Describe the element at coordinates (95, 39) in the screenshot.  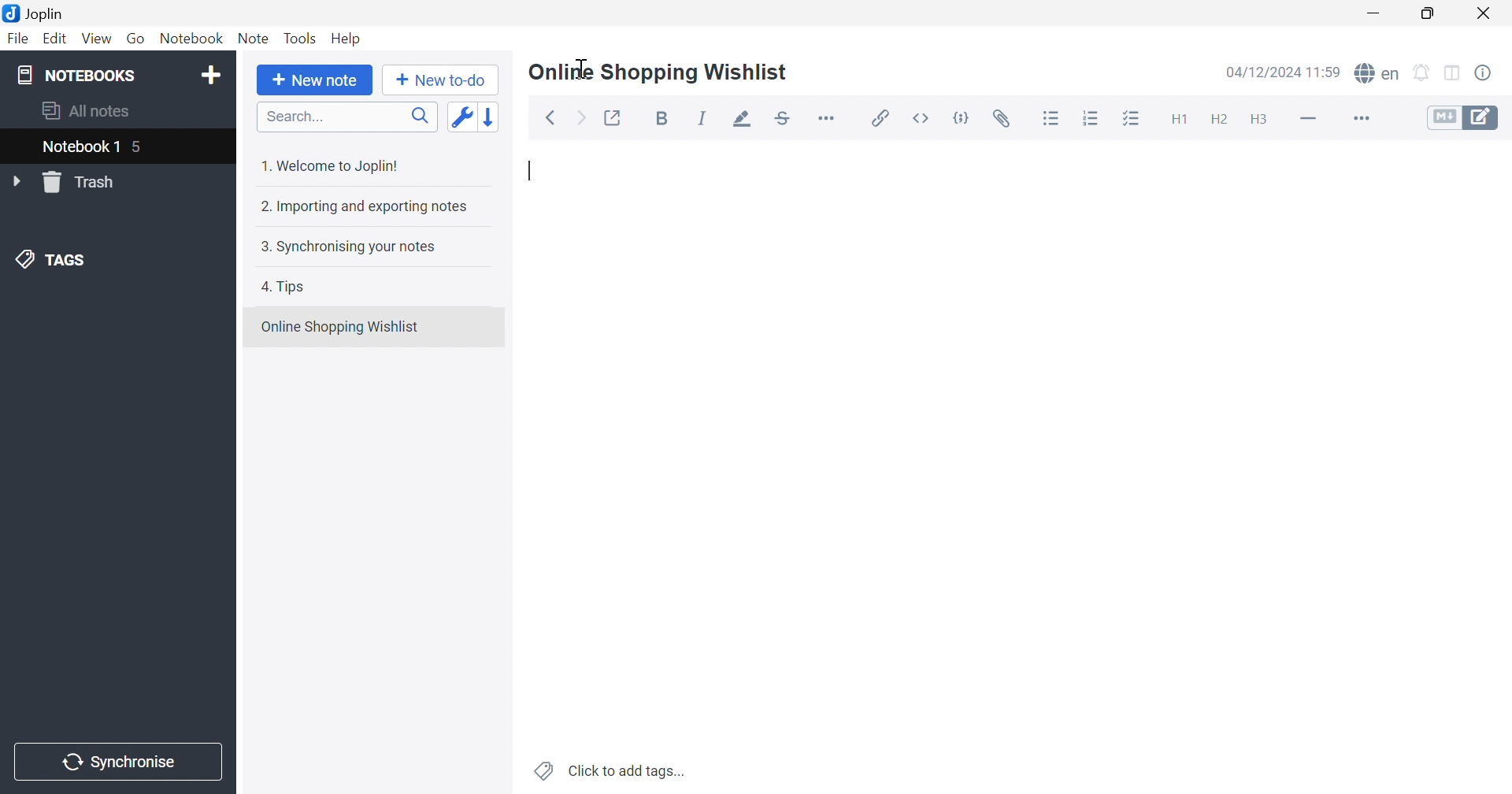
I see `View` at that location.